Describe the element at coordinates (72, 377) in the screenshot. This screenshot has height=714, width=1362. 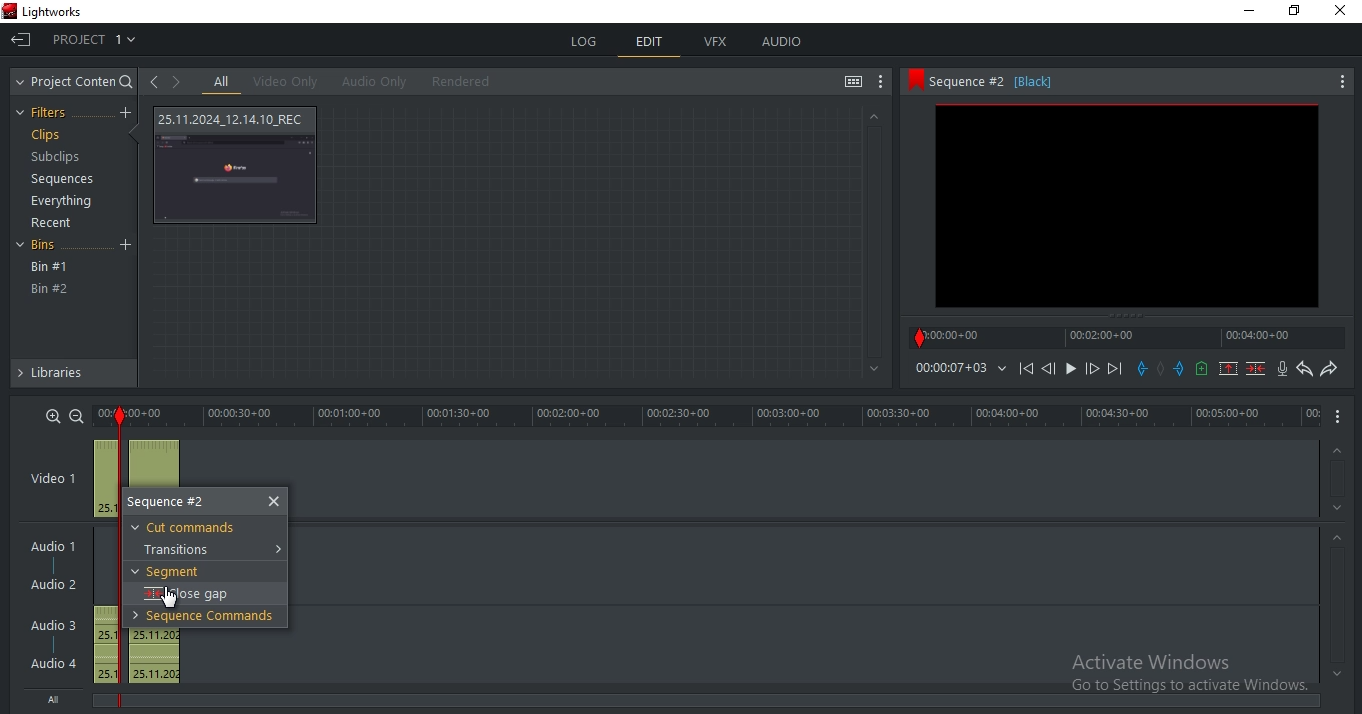
I see `libraries` at that location.